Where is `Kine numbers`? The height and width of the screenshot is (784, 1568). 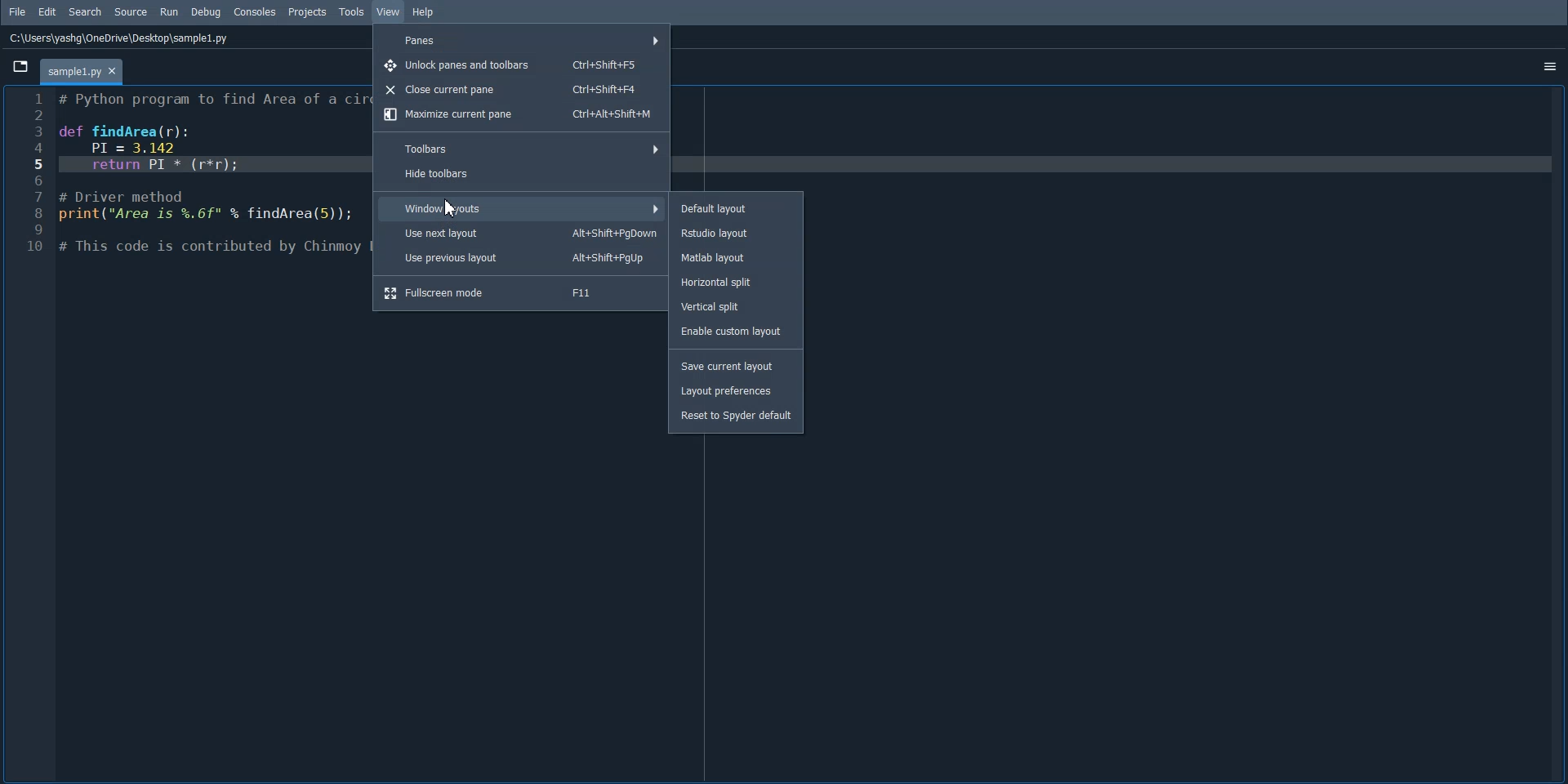 Kine numbers is located at coordinates (35, 179).